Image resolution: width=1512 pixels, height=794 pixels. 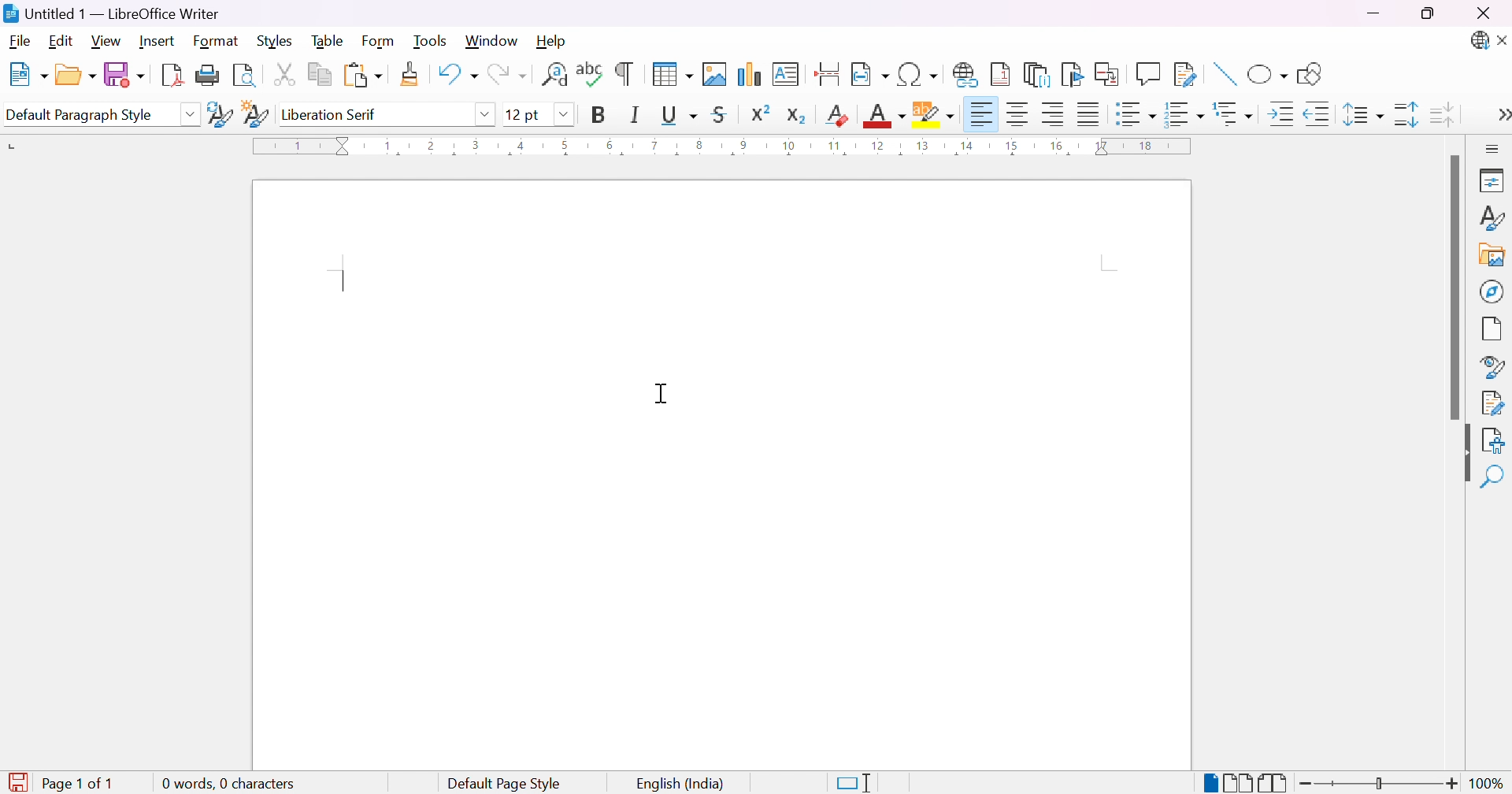 What do you see at coordinates (1428, 15) in the screenshot?
I see `Restore down` at bounding box center [1428, 15].